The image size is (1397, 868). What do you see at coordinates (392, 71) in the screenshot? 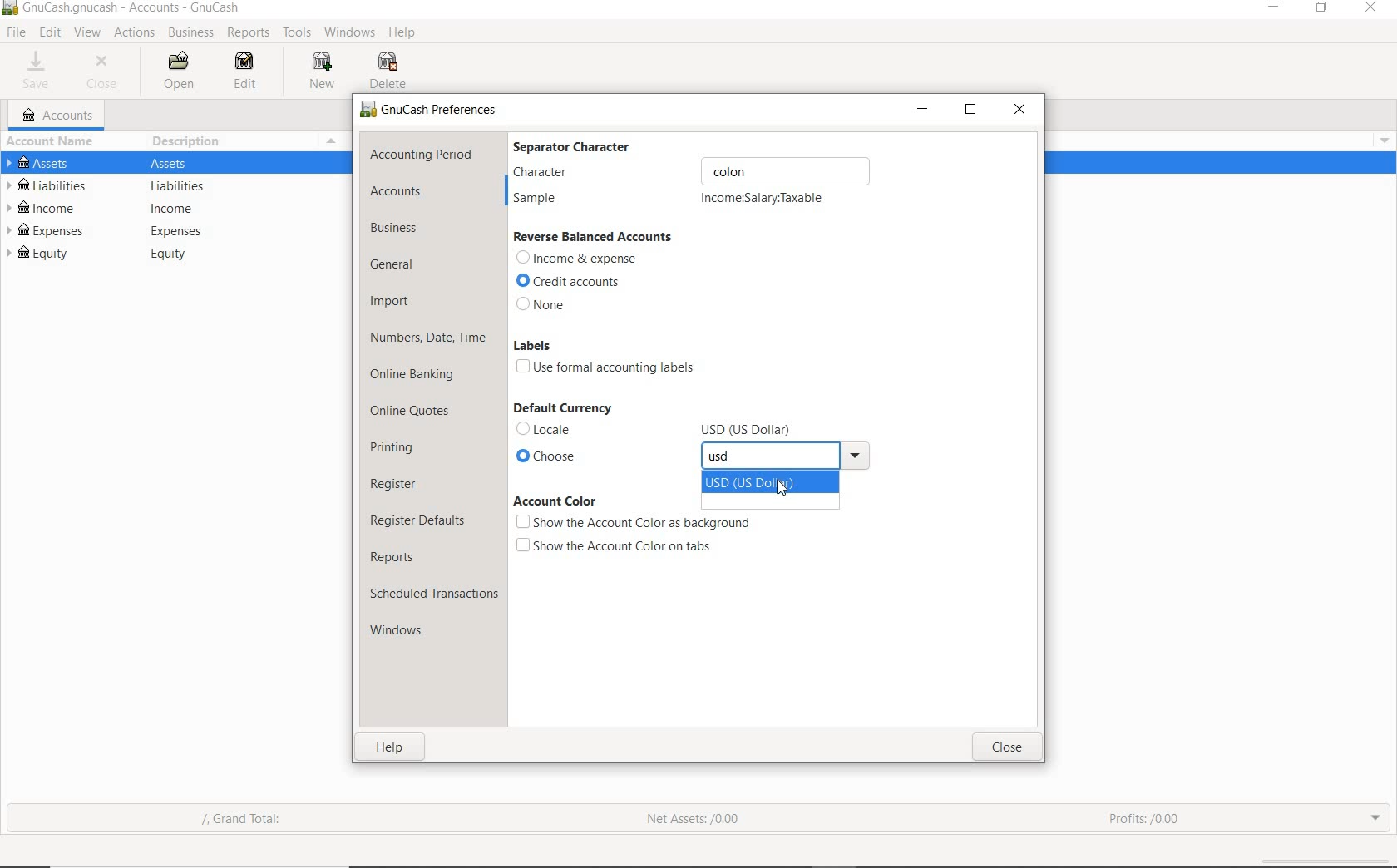
I see `DELETE` at bounding box center [392, 71].